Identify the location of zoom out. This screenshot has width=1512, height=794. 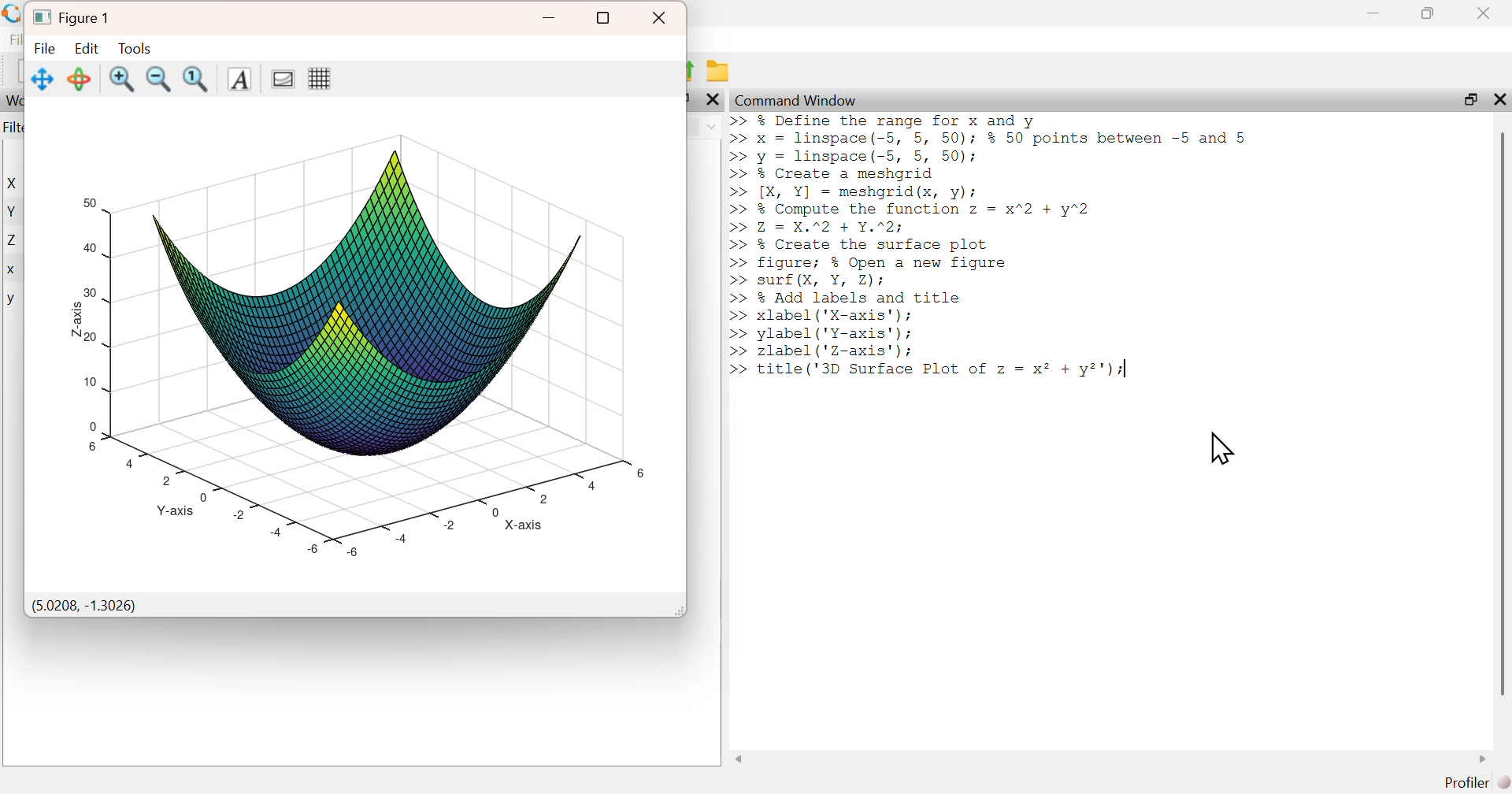
(160, 78).